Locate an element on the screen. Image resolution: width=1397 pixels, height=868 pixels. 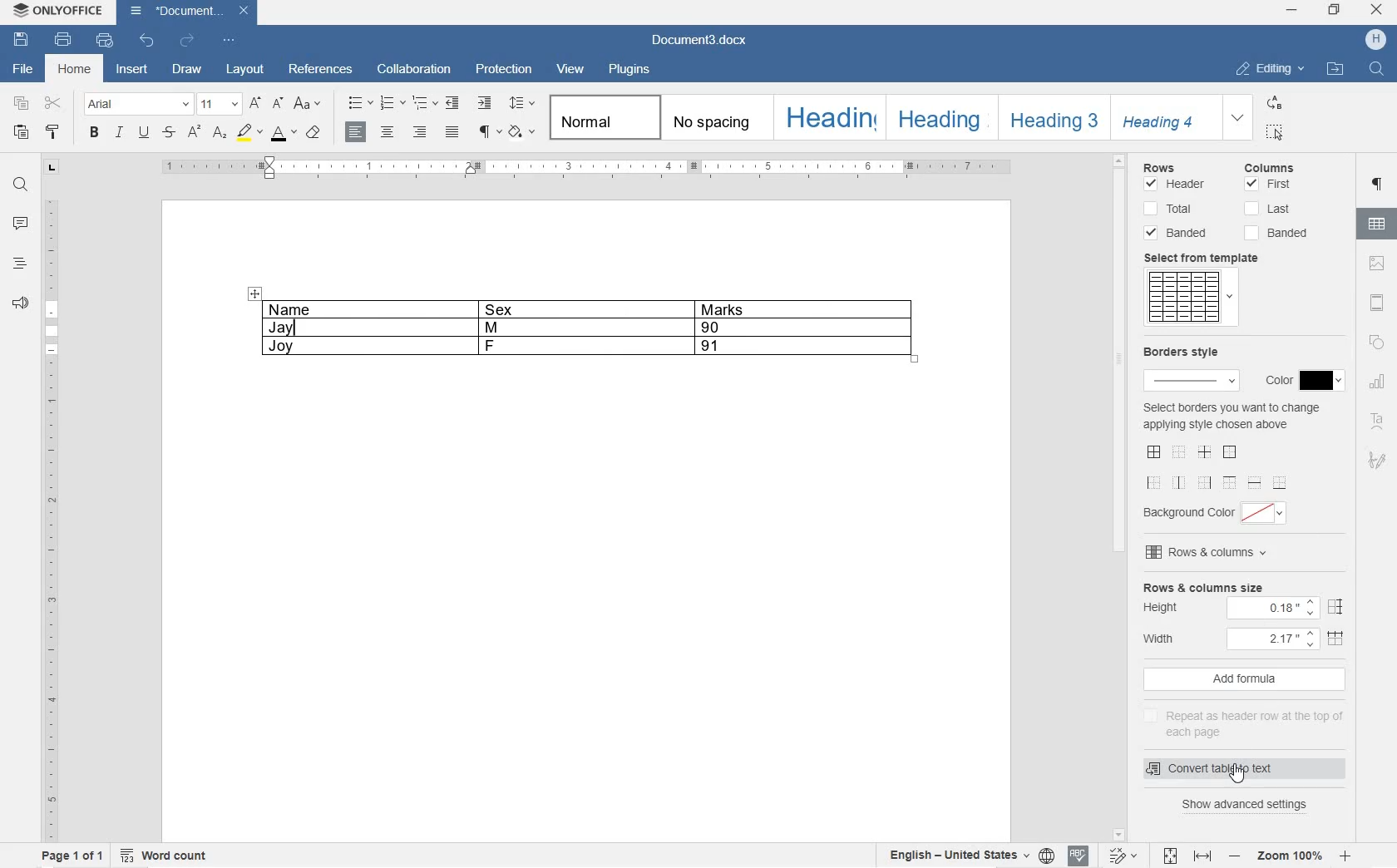
set vertical inner lines only is located at coordinates (1179, 481).